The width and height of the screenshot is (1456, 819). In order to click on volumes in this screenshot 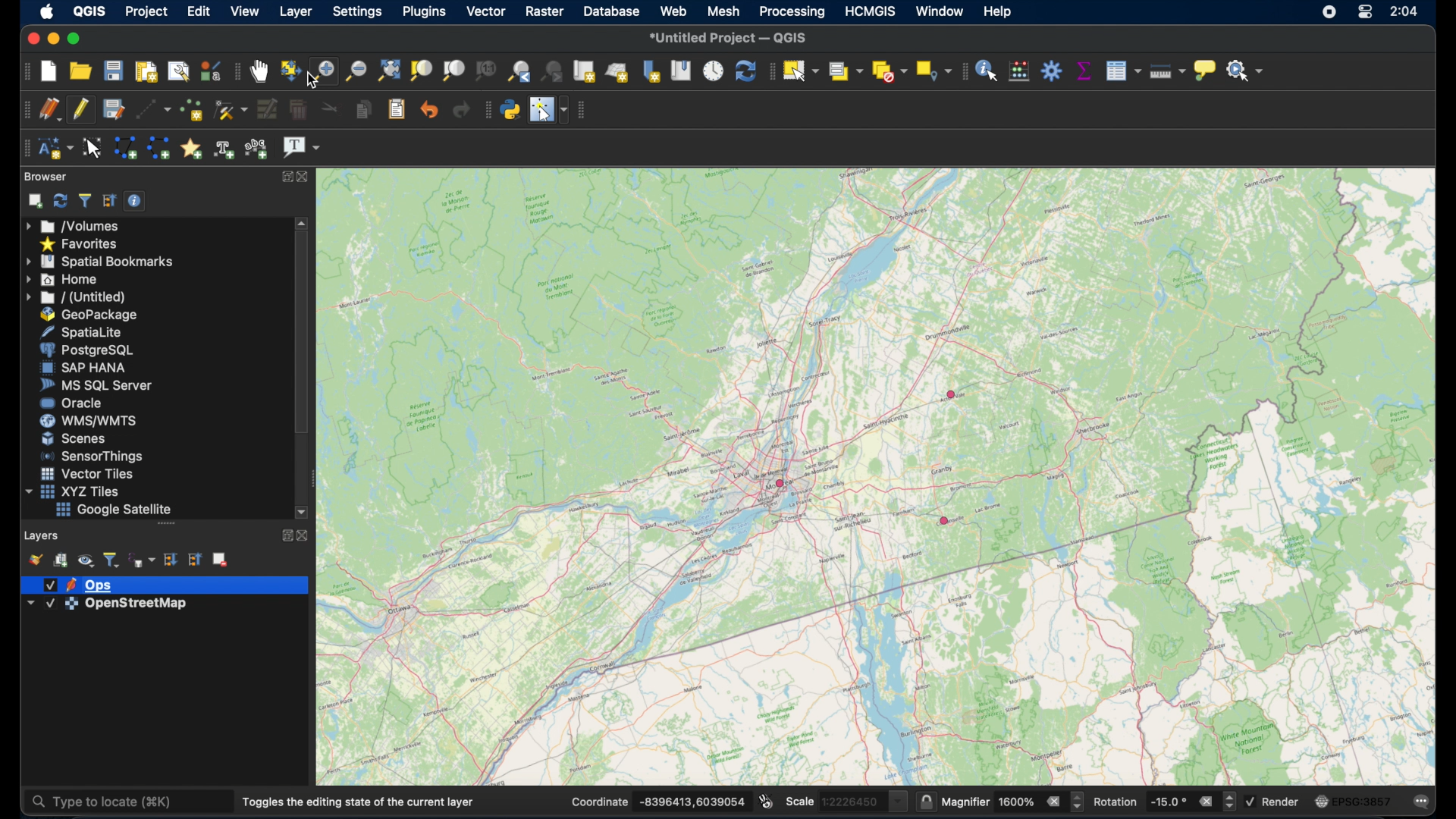, I will do `click(72, 224)`.